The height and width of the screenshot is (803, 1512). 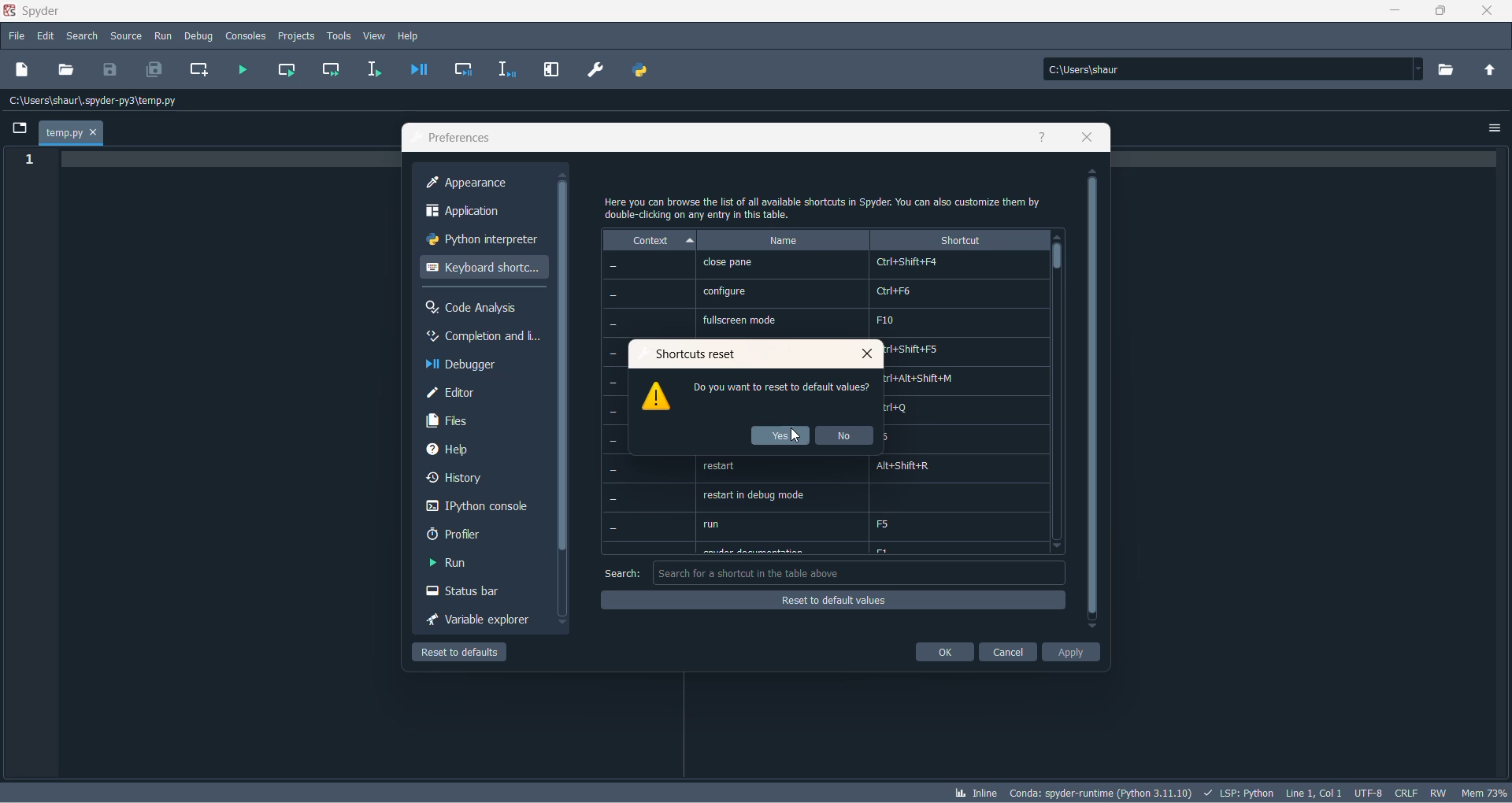 What do you see at coordinates (110, 69) in the screenshot?
I see `save` at bounding box center [110, 69].